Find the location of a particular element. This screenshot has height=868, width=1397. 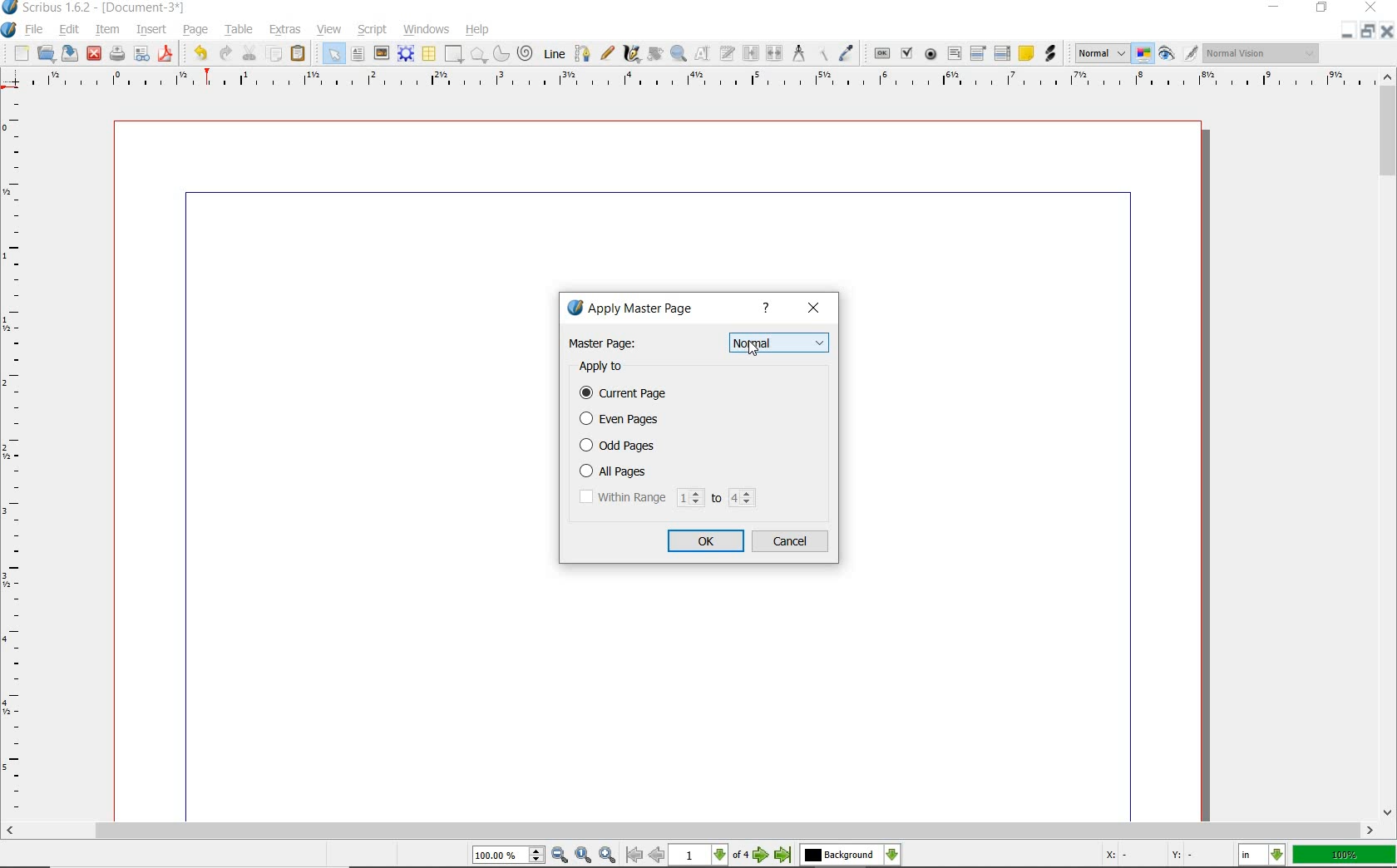

cut is located at coordinates (249, 52).